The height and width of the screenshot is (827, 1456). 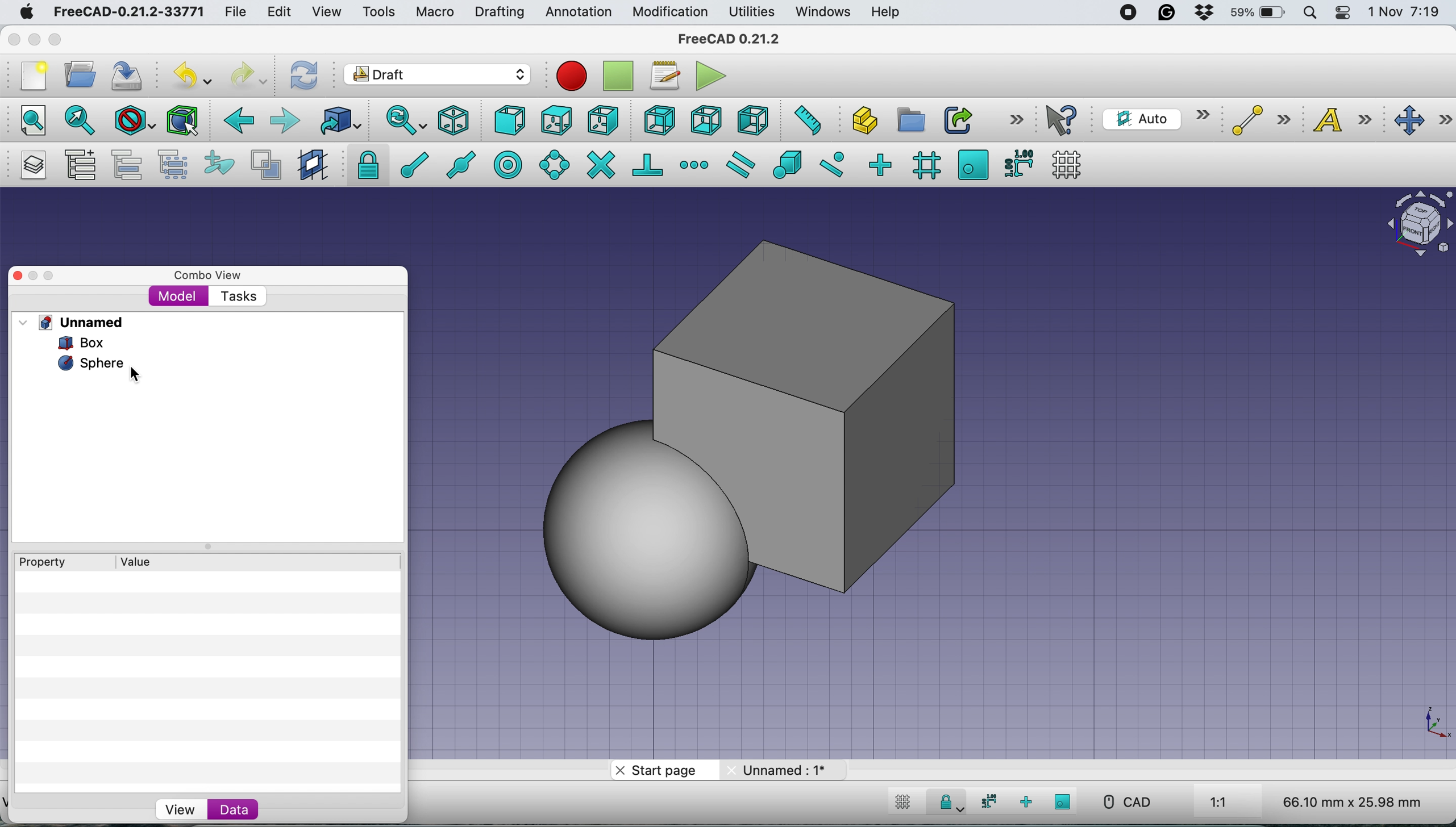 I want to click on refresh, so click(x=302, y=74).